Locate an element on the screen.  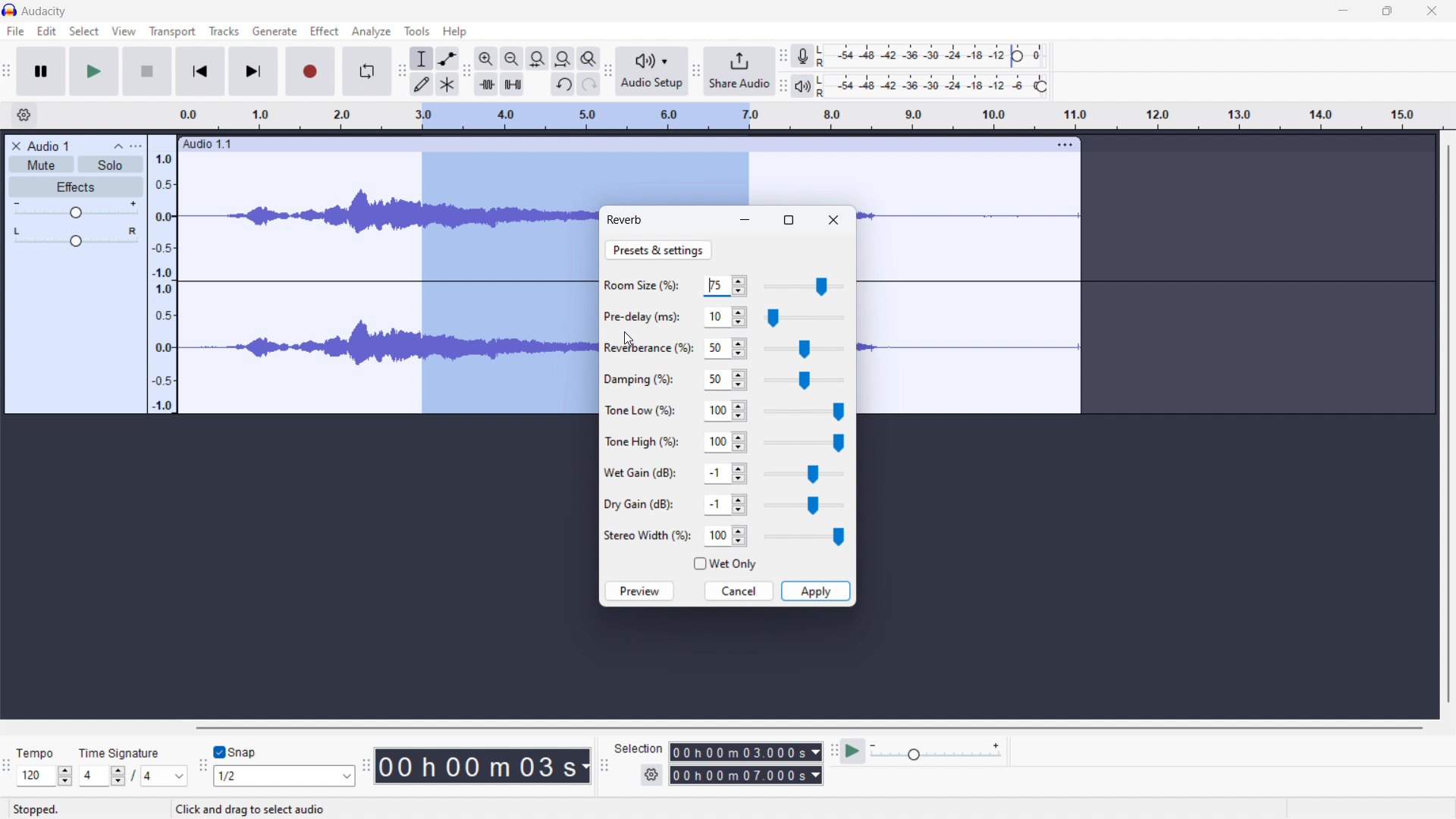
apply is located at coordinates (816, 591).